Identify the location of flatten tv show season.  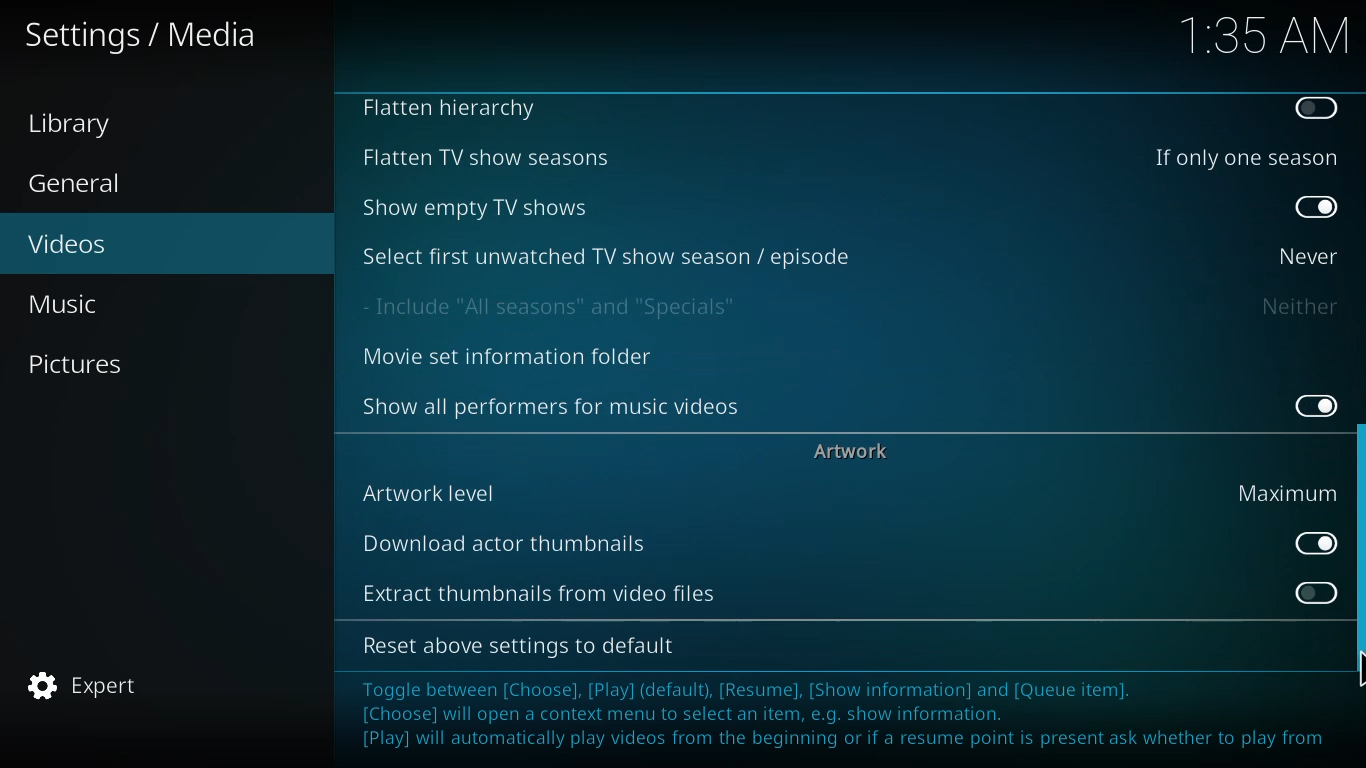
(483, 157).